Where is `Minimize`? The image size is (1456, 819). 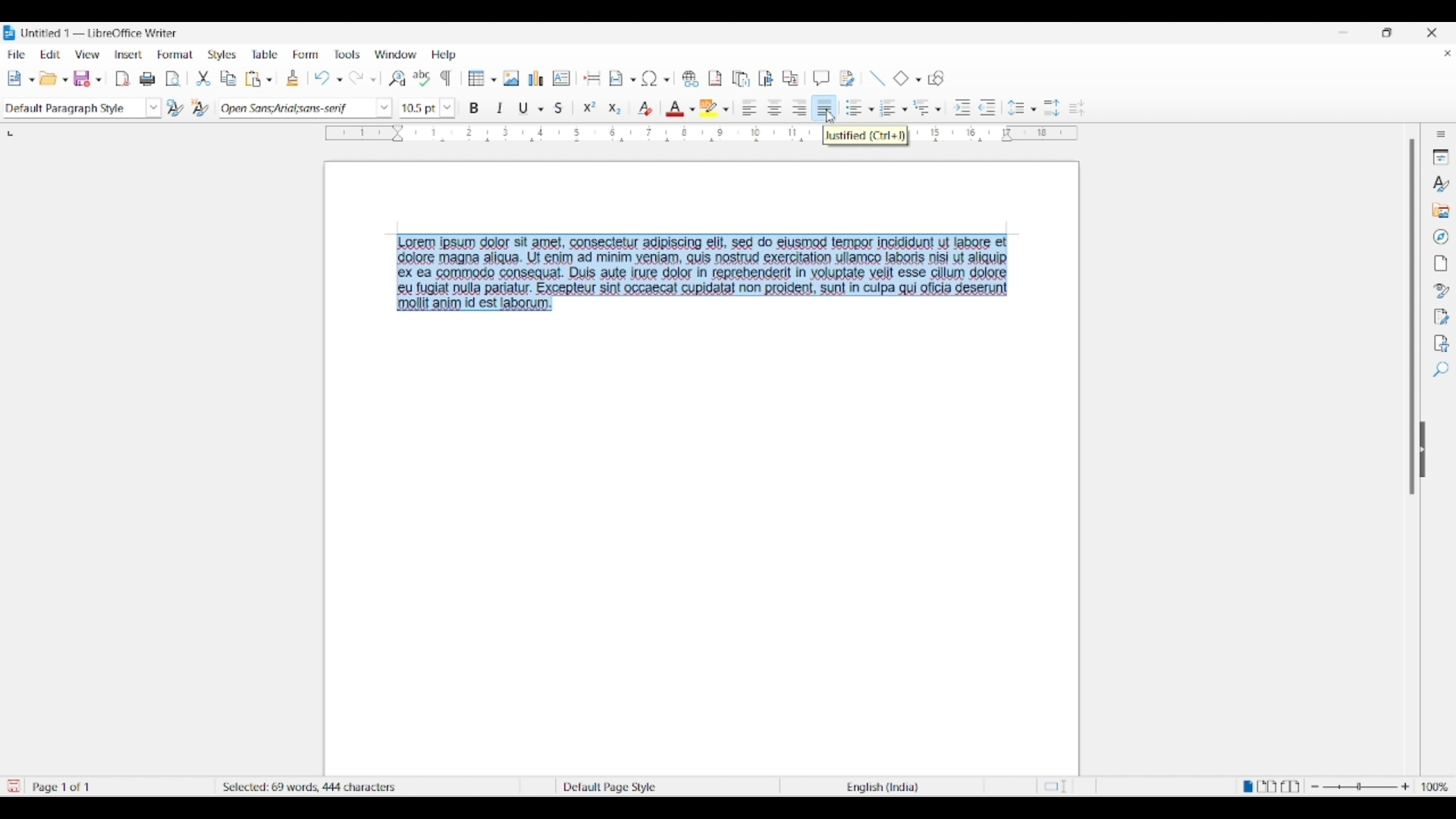 Minimize is located at coordinates (1343, 33).